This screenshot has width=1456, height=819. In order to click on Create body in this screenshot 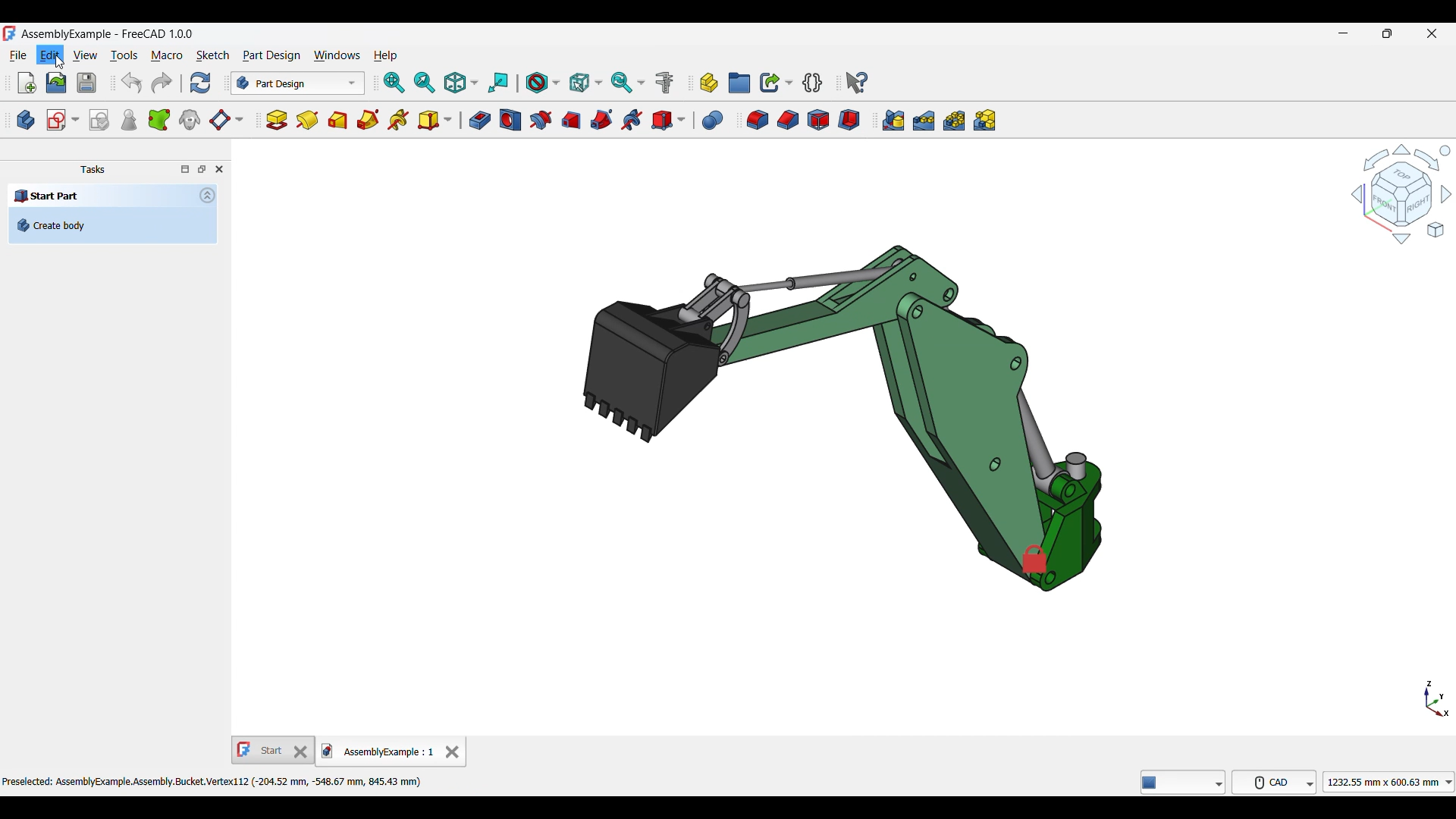, I will do `click(112, 225)`.